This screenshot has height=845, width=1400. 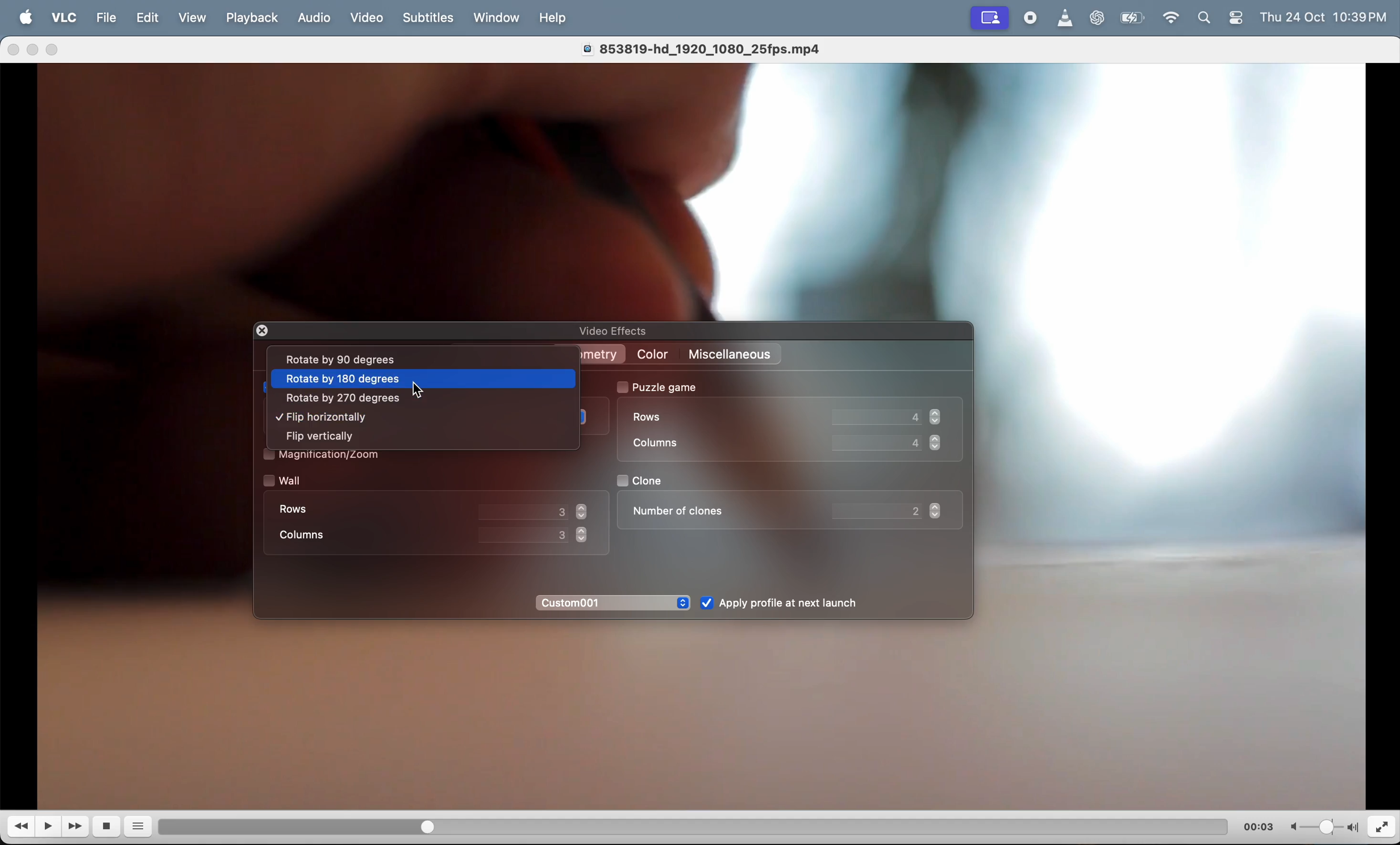 I want to click on coloumn value, so click(x=892, y=442).